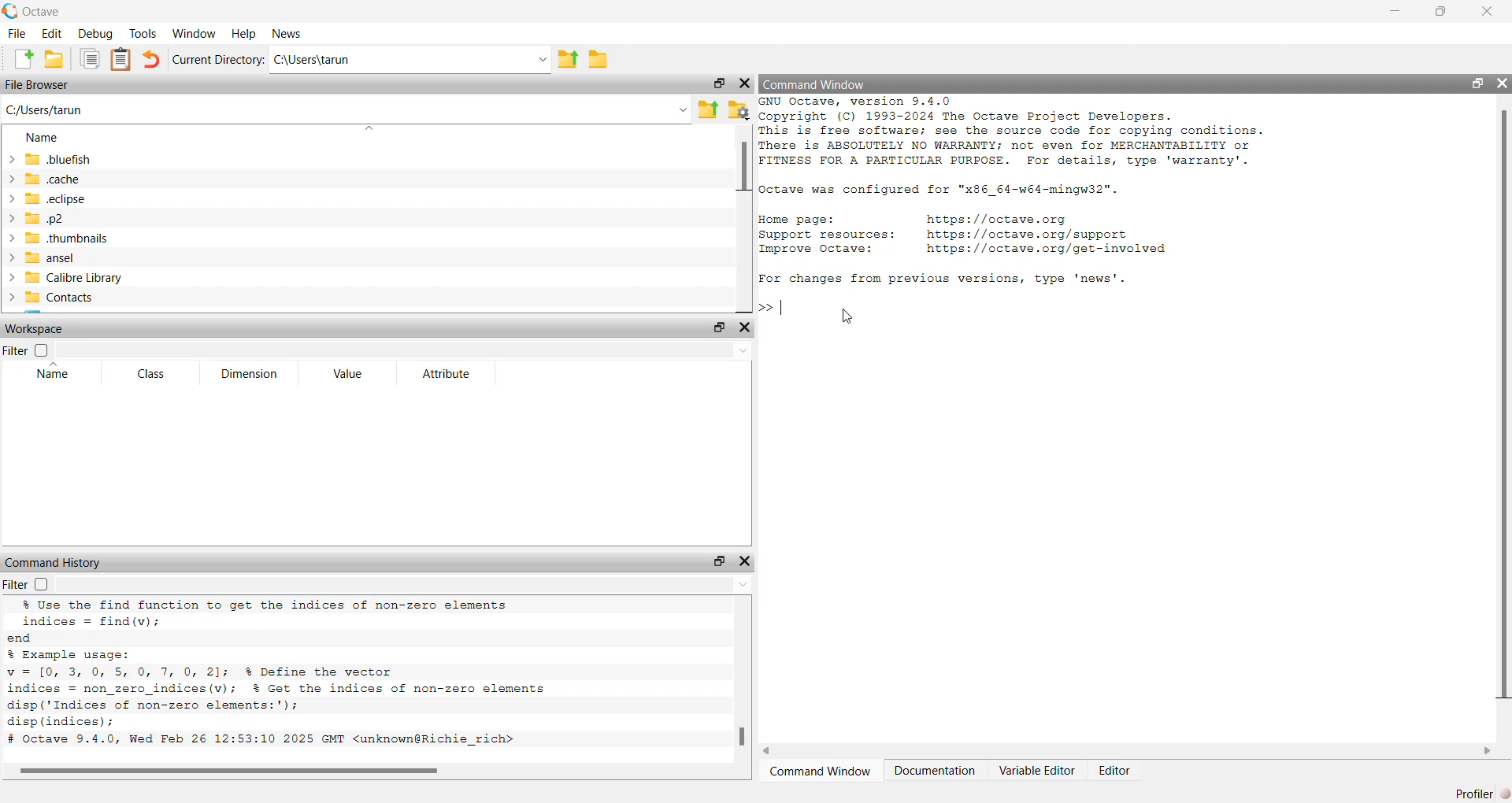 The image size is (1512, 803). I want to click on Help, so click(243, 35).